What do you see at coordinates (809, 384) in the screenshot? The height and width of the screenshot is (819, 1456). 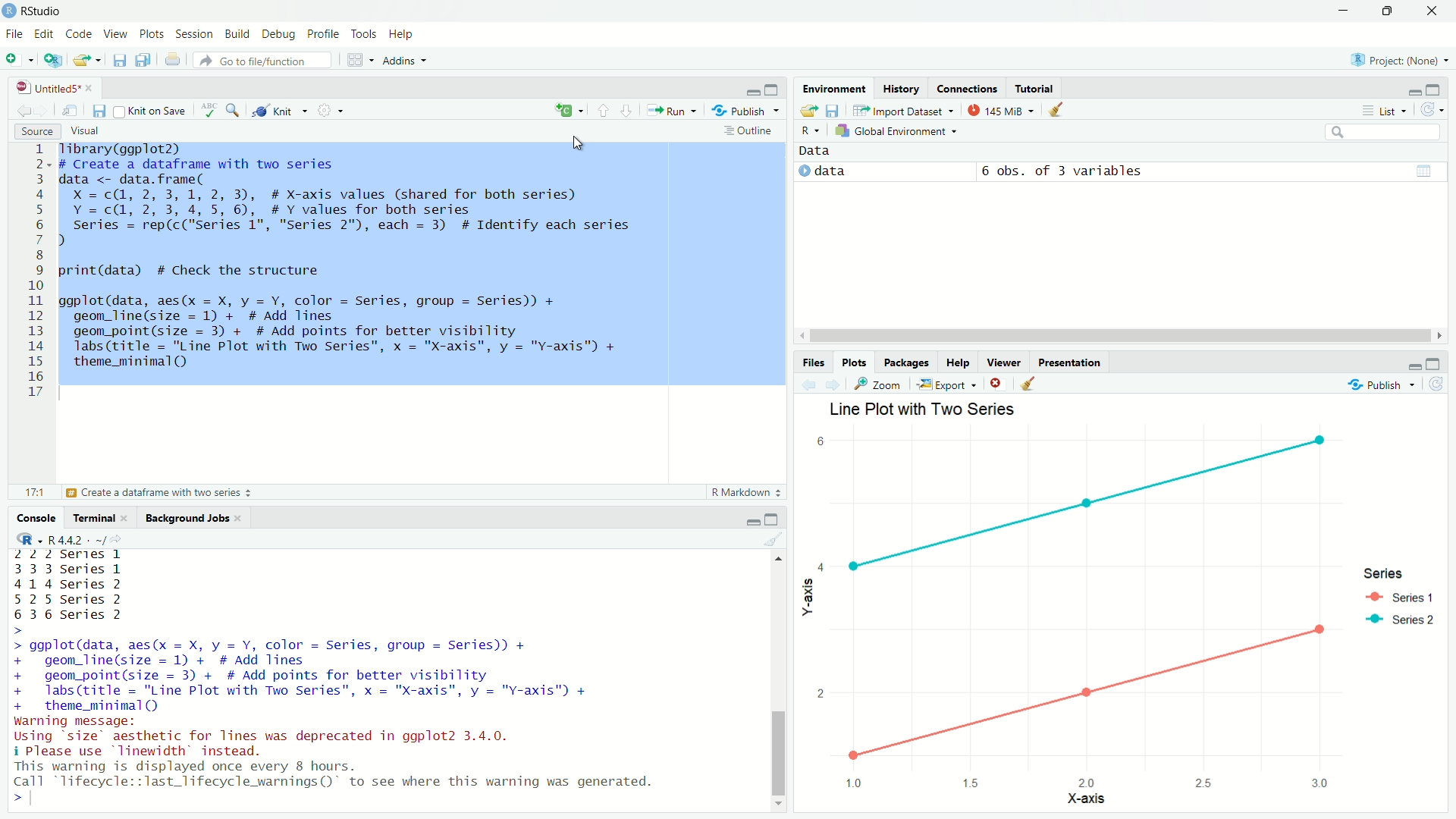 I see `Go back to the previous source selection` at bounding box center [809, 384].